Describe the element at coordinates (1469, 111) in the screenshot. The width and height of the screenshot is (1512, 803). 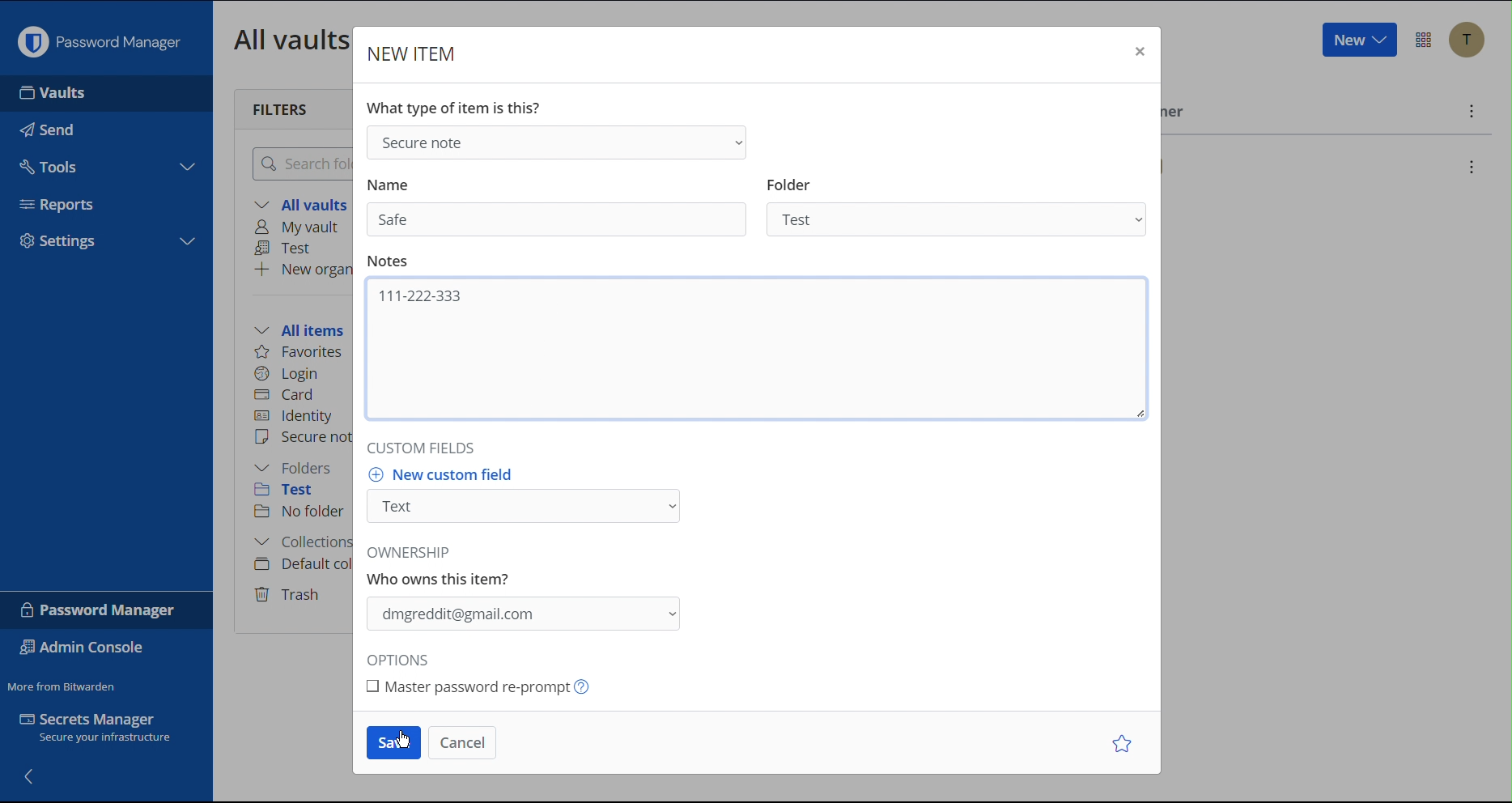
I see `More` at that location.